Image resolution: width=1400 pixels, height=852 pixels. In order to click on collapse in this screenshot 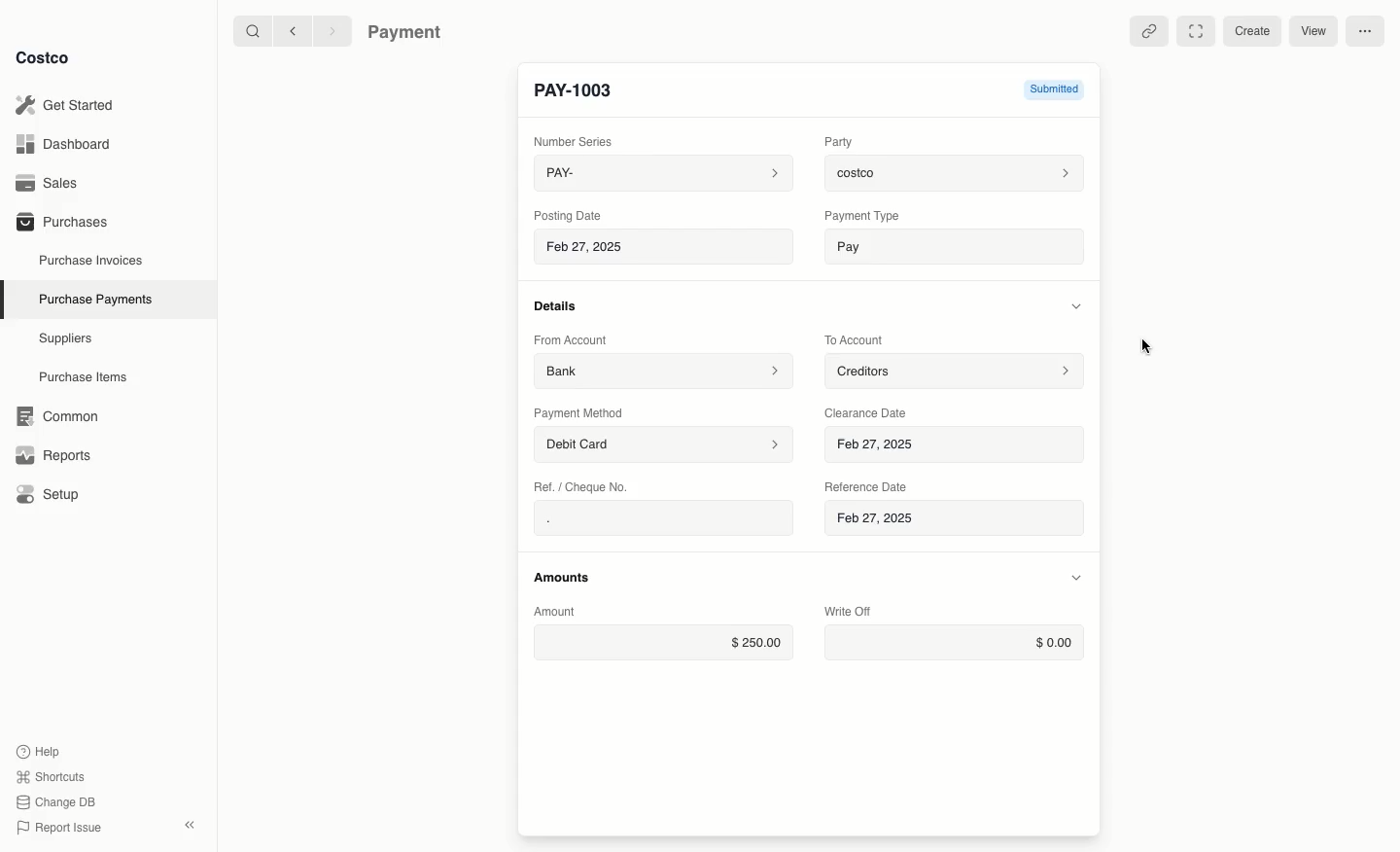, I will do `click(189, 825)`.